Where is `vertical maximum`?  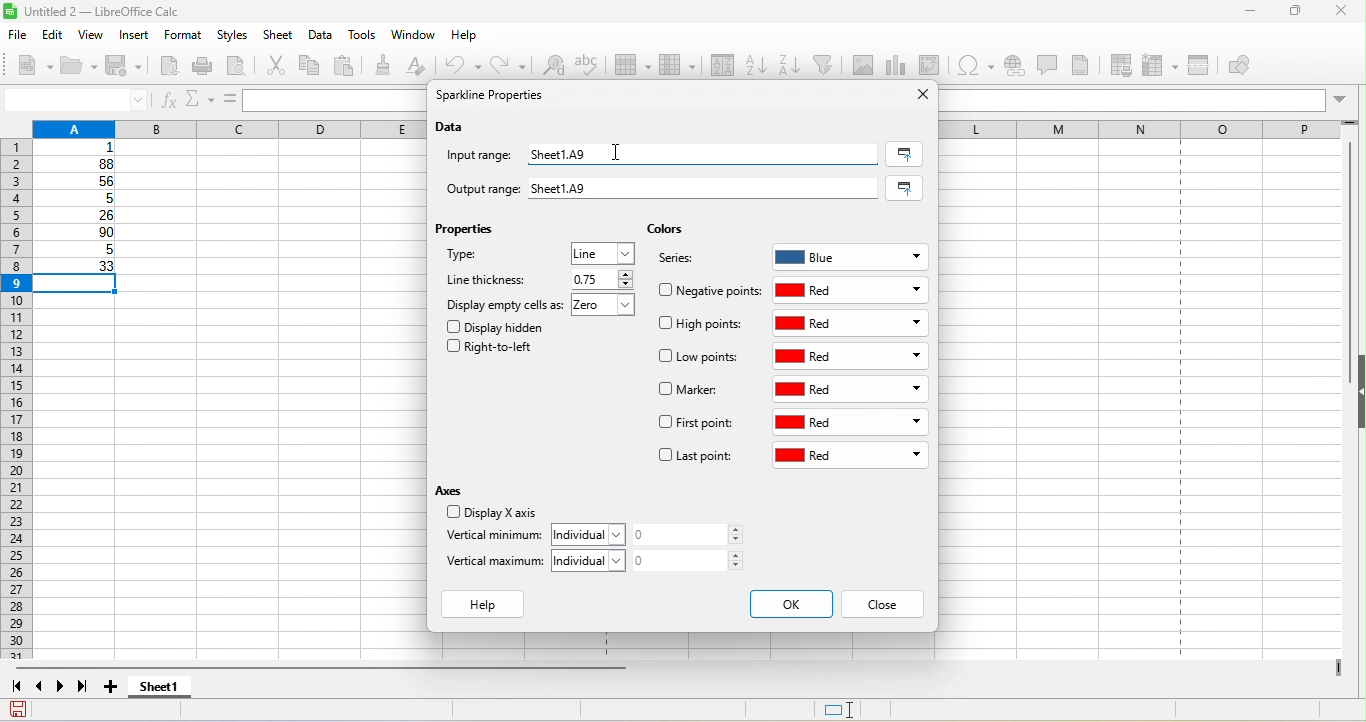 vertical maximum is located at coordinates (496, 565).